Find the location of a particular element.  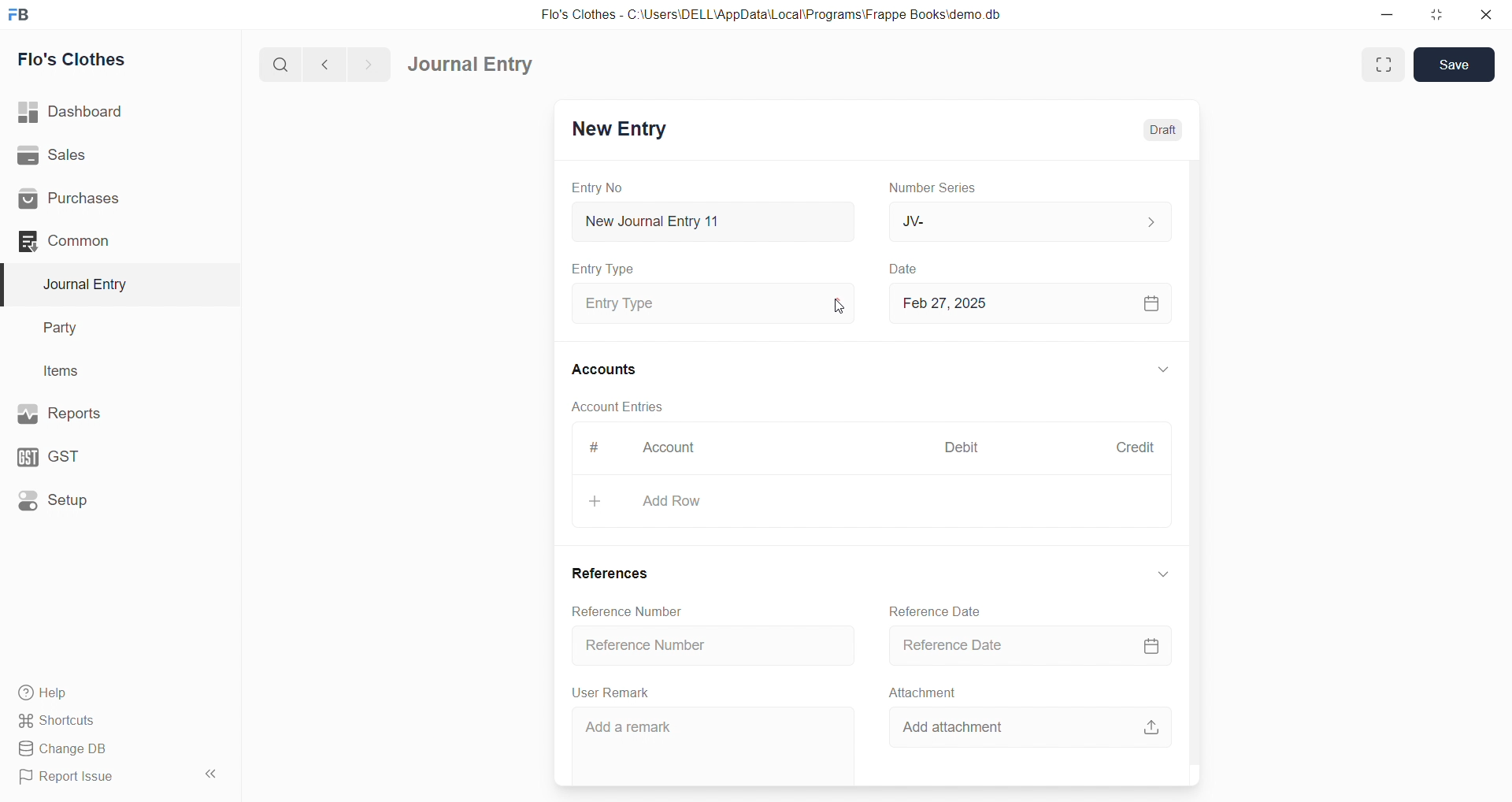

Journal Entry is located at coordinates (90, 284).